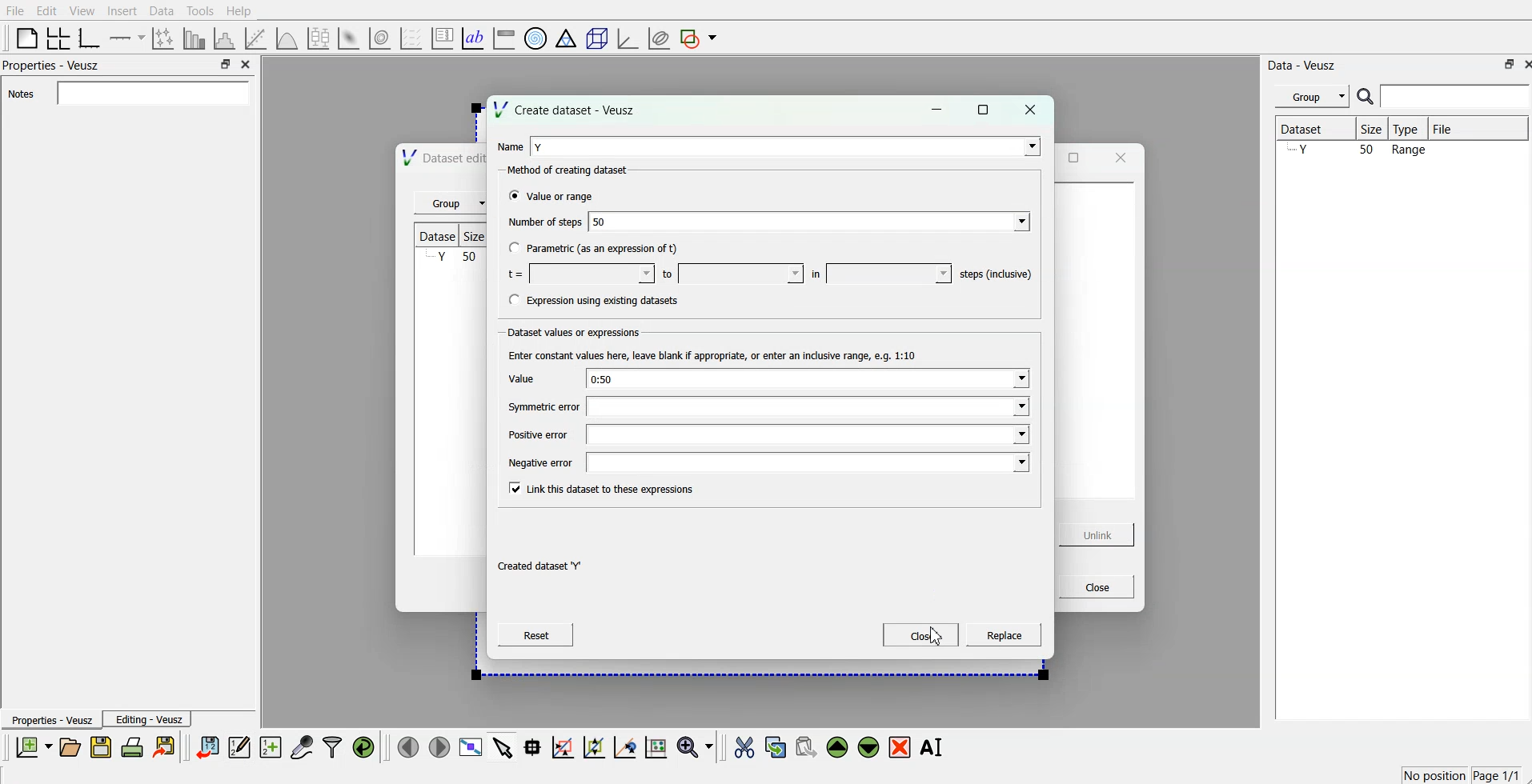 The height and width of the screenshot is (784, 1532). Describe the element at coordinates (809, 461) in the screenshot. I see `negative error value field` at that location.